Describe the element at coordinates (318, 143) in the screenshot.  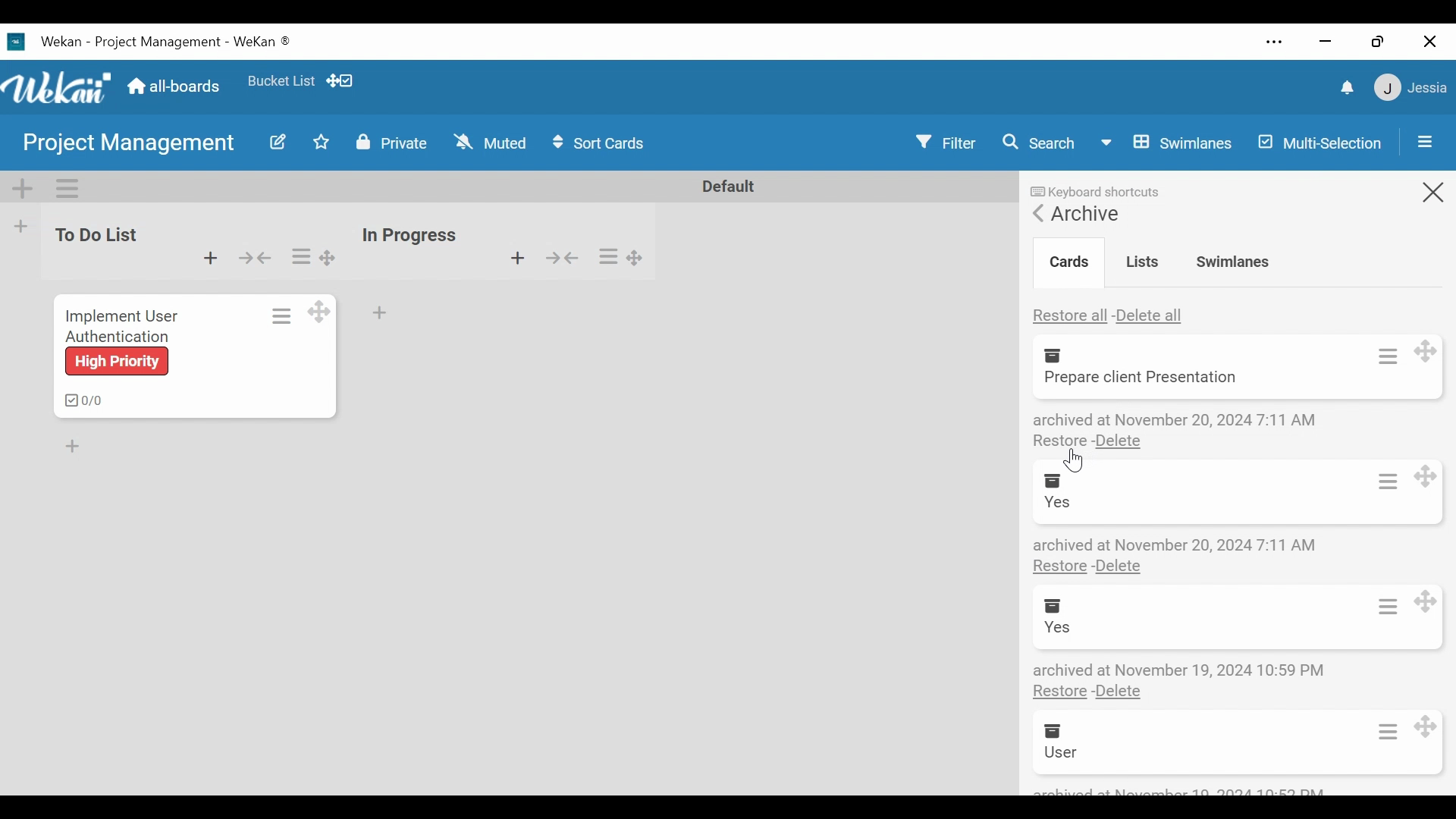
I see `Toggle Favorite` at that location.